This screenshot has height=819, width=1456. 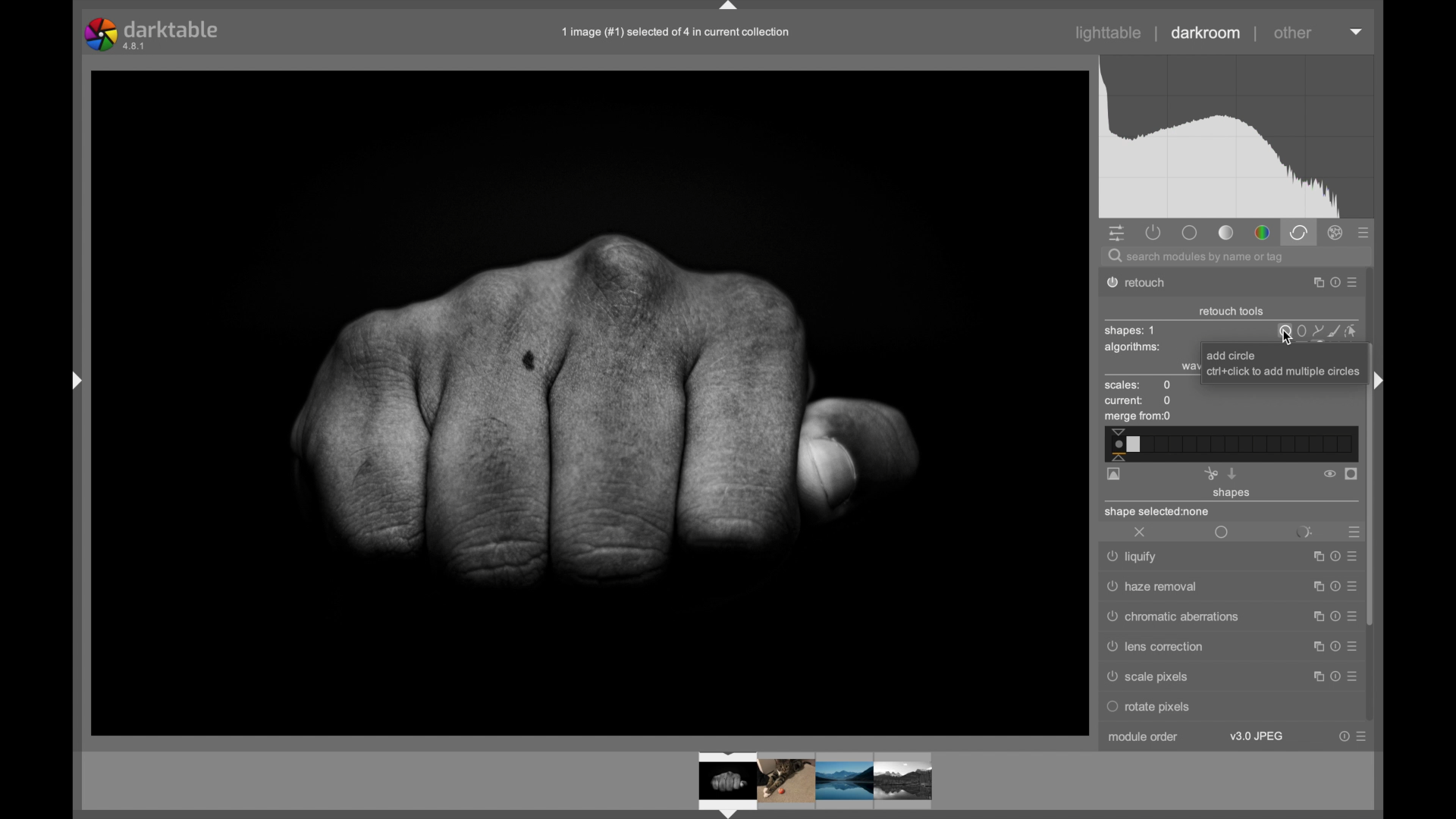 I want to click on darktable, so click(x=153, y=34).